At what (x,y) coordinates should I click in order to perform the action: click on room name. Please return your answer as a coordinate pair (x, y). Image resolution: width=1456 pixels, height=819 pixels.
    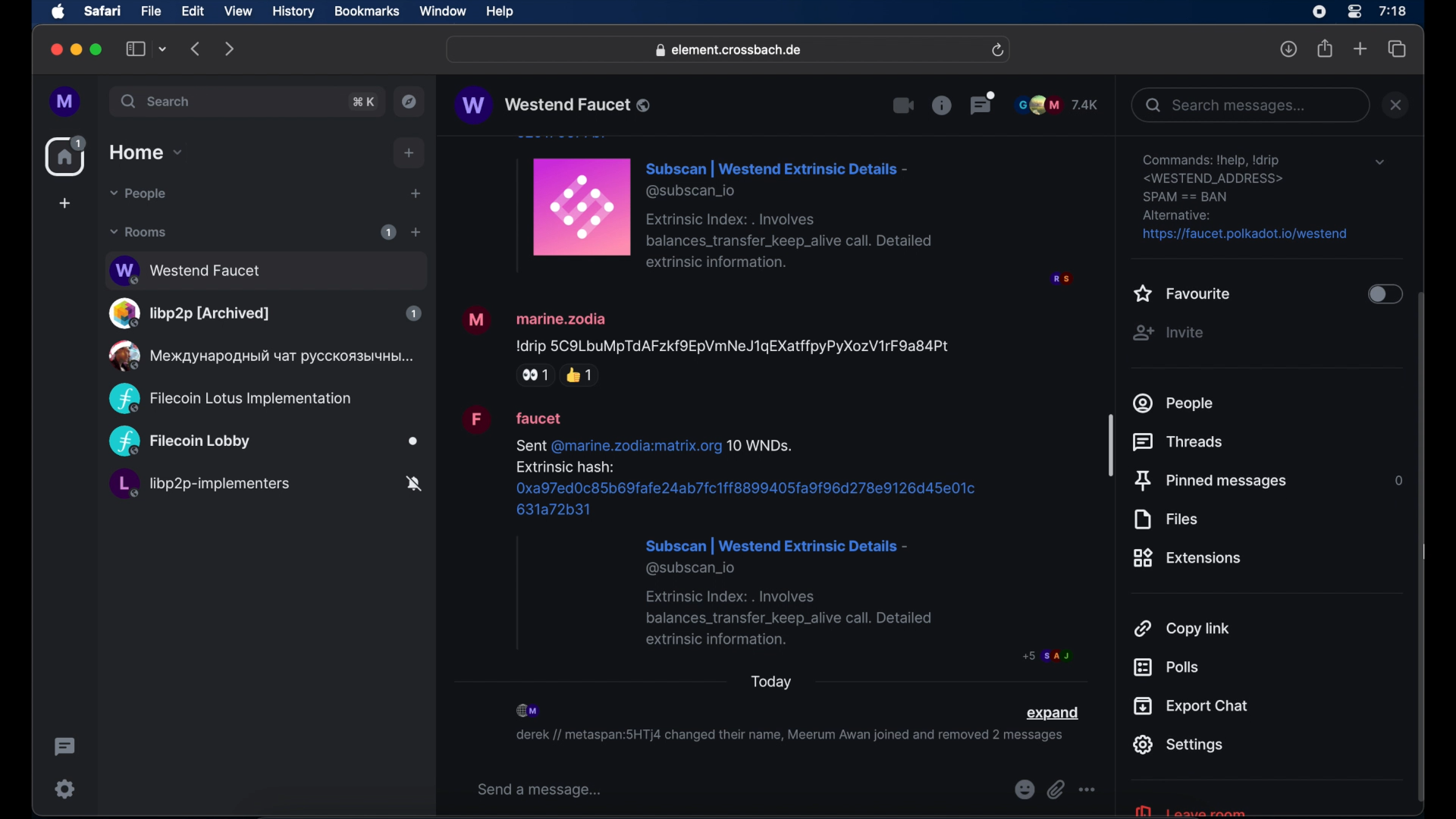
    Looking at the image, I should click on (552, 105).